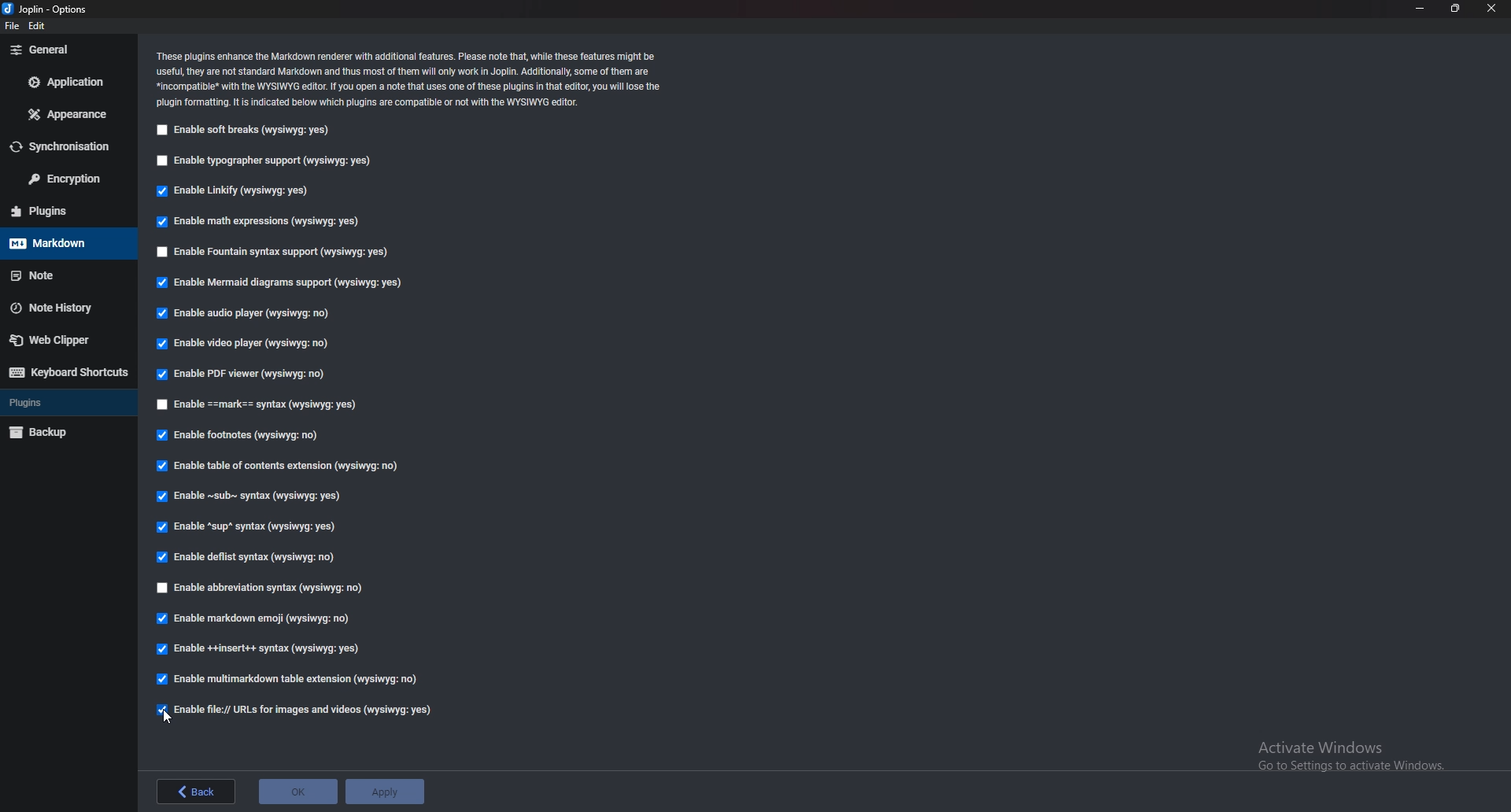 This screenshot has width=1511, height=812. Describe the element at coordinates (70, 371) in the screenshot. I see `Keyboard shortcuts` at that location.